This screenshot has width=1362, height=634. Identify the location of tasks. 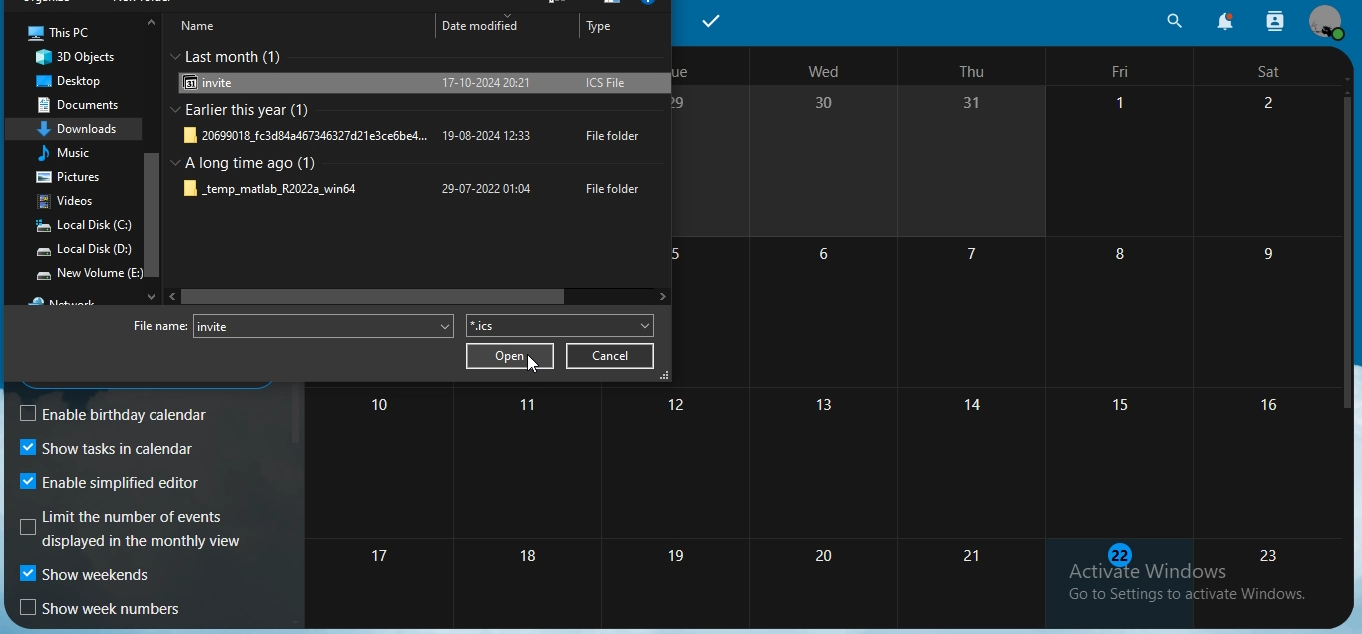
(715, 19).